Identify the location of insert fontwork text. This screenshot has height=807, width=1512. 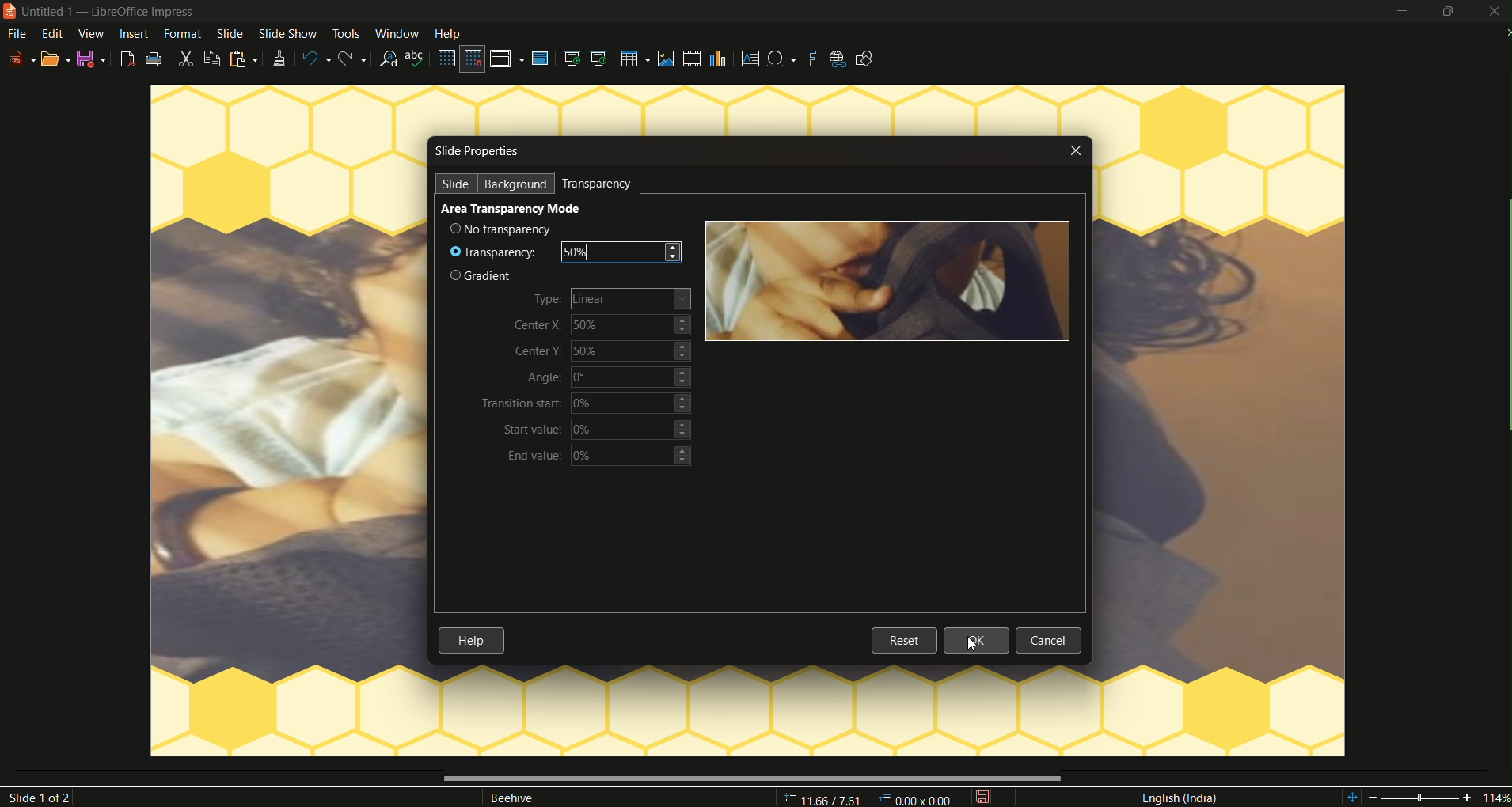
(812, 59).